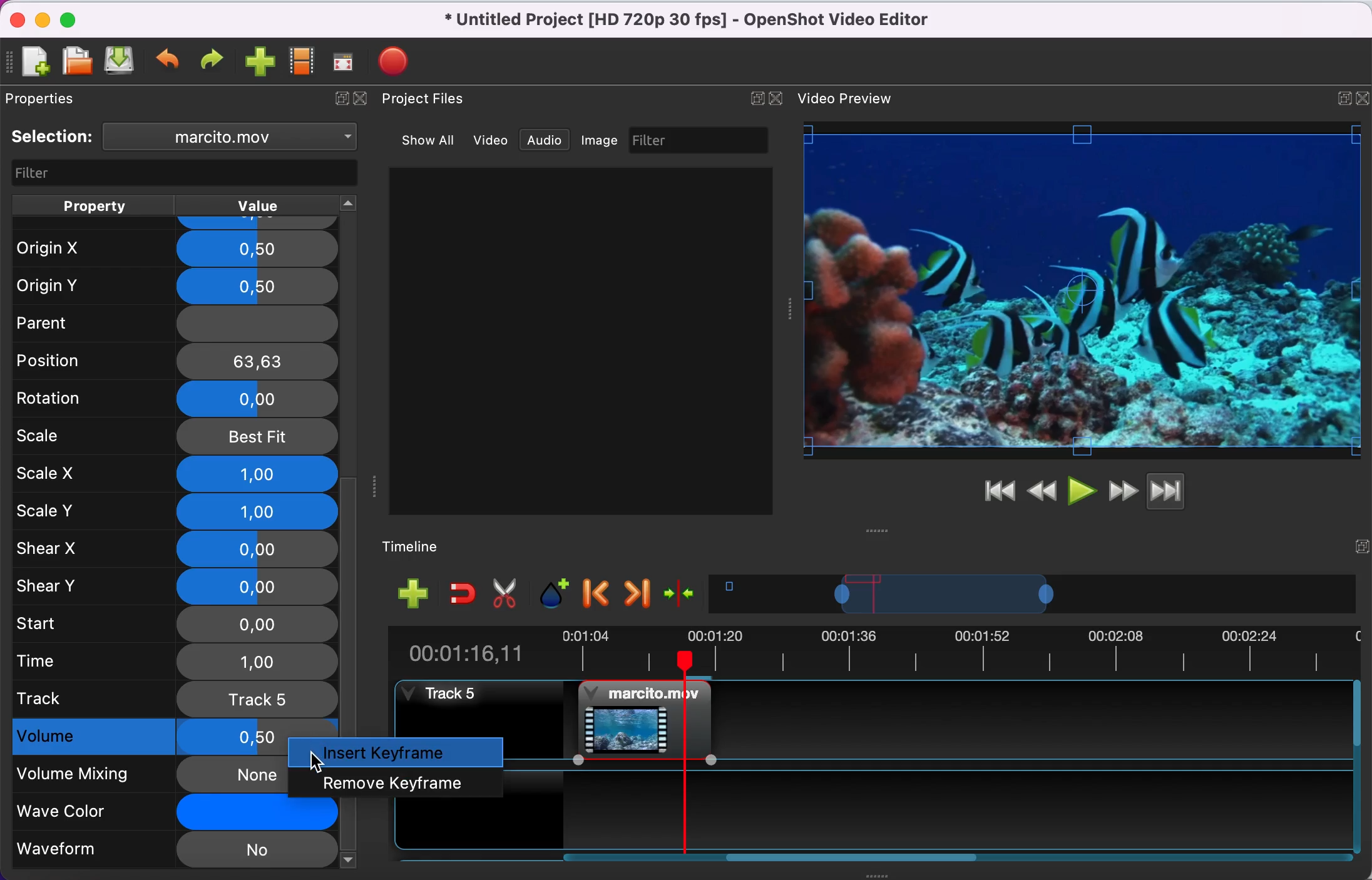  Describe the element at coordinates (1083, 291) in the screenshot. I see `video preview` at that location.